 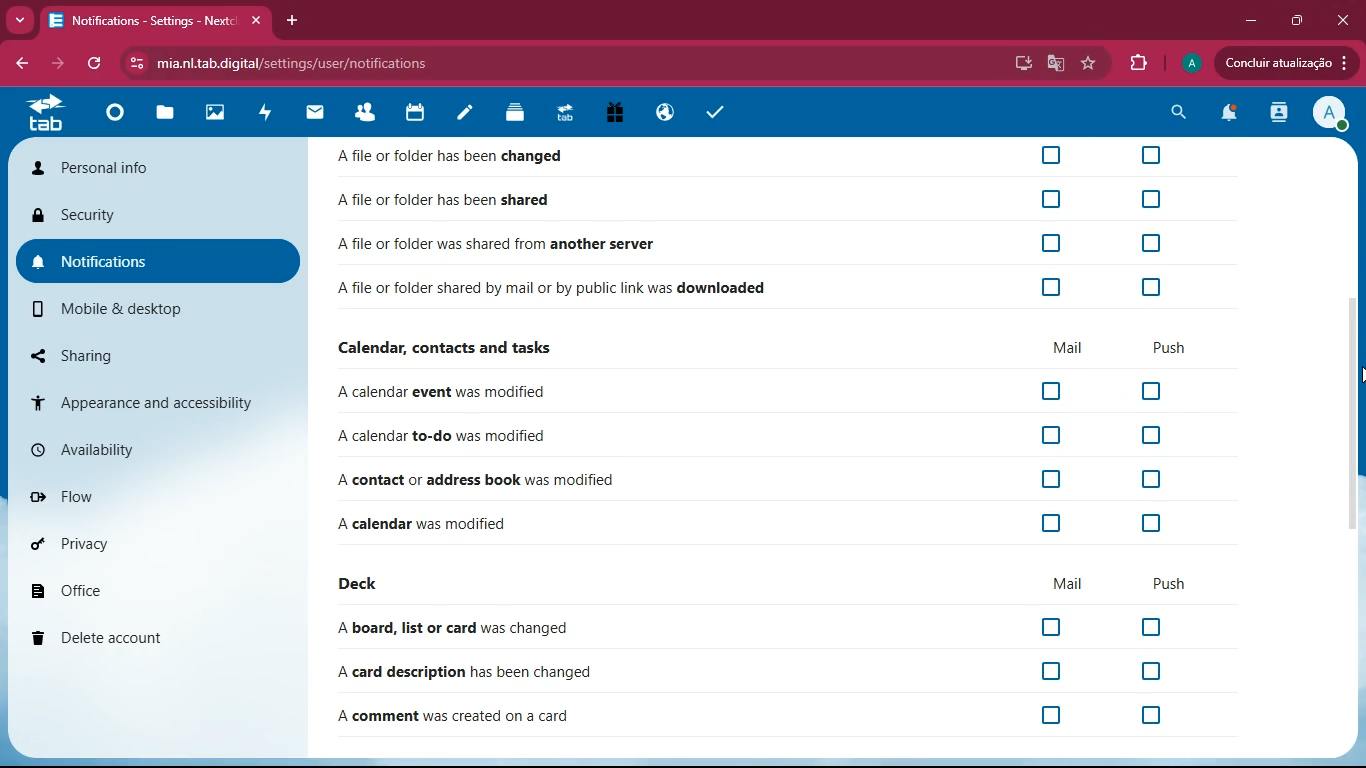 What do you see at coordinates (424, 523) in the screenshot?
I see `A calendar was modified` at bounding box center [424, 523].